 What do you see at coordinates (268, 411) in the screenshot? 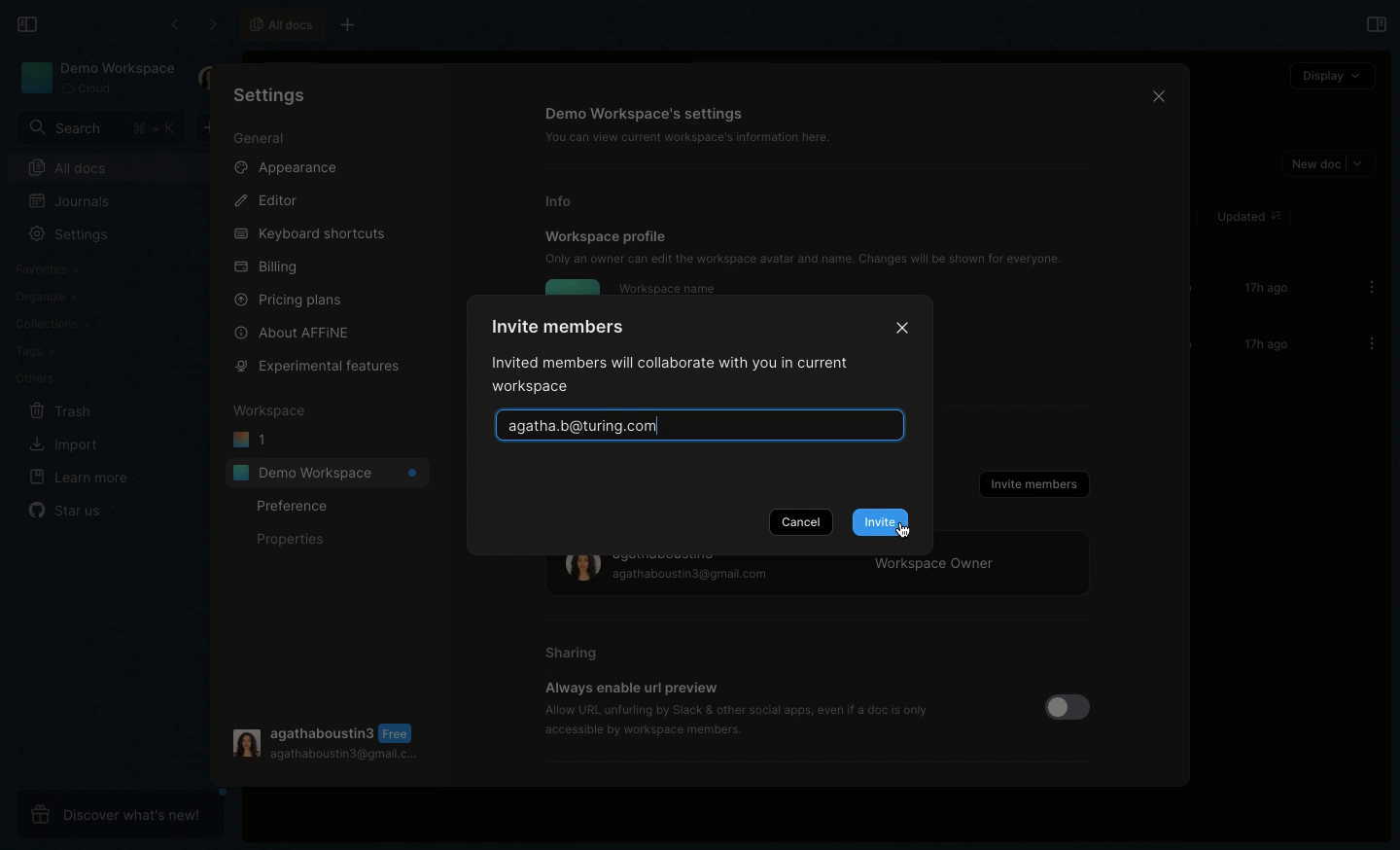
I see `Workspace` at bounding box center [268, 411].